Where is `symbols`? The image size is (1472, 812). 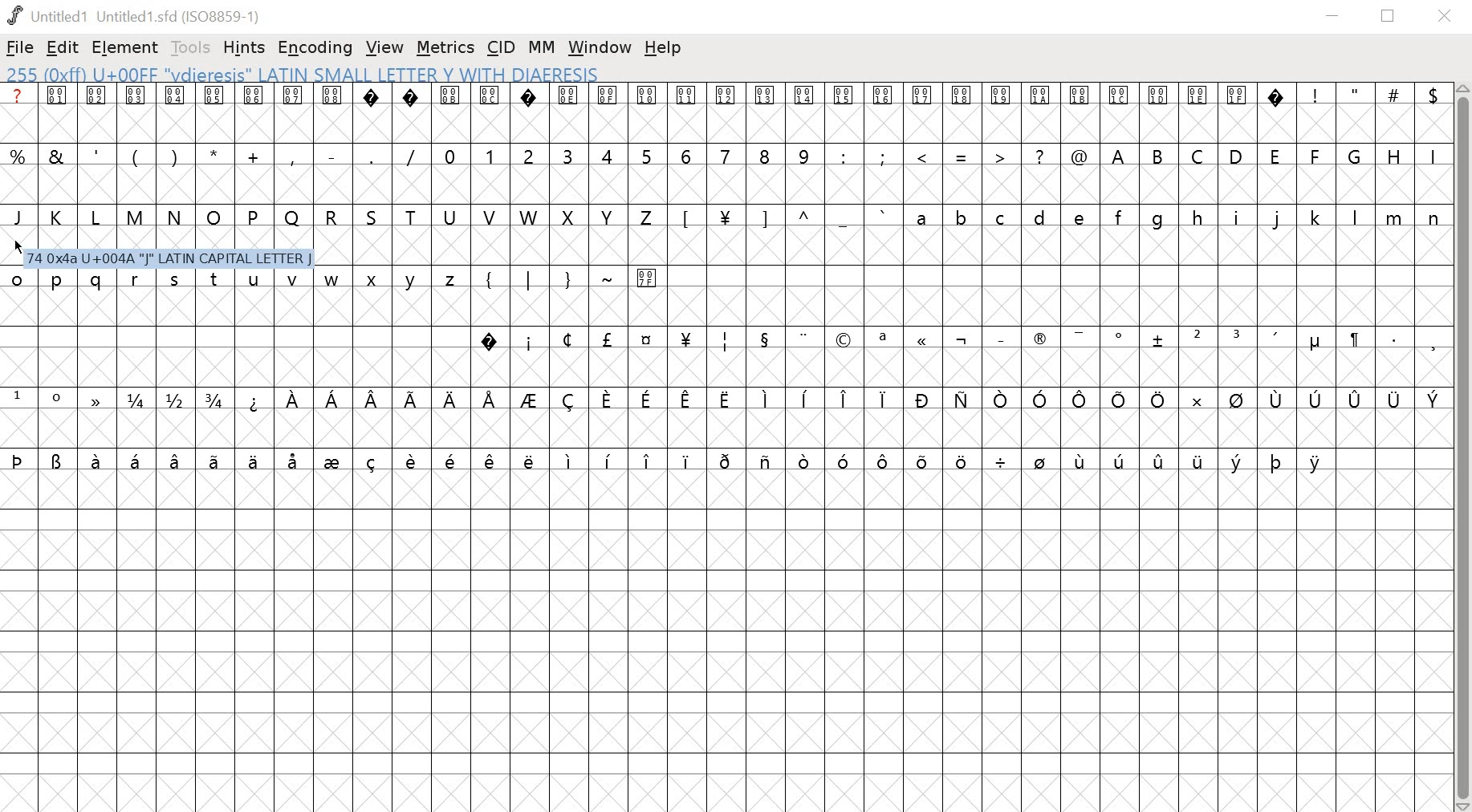
symbols is located at coordinates (951, 341).